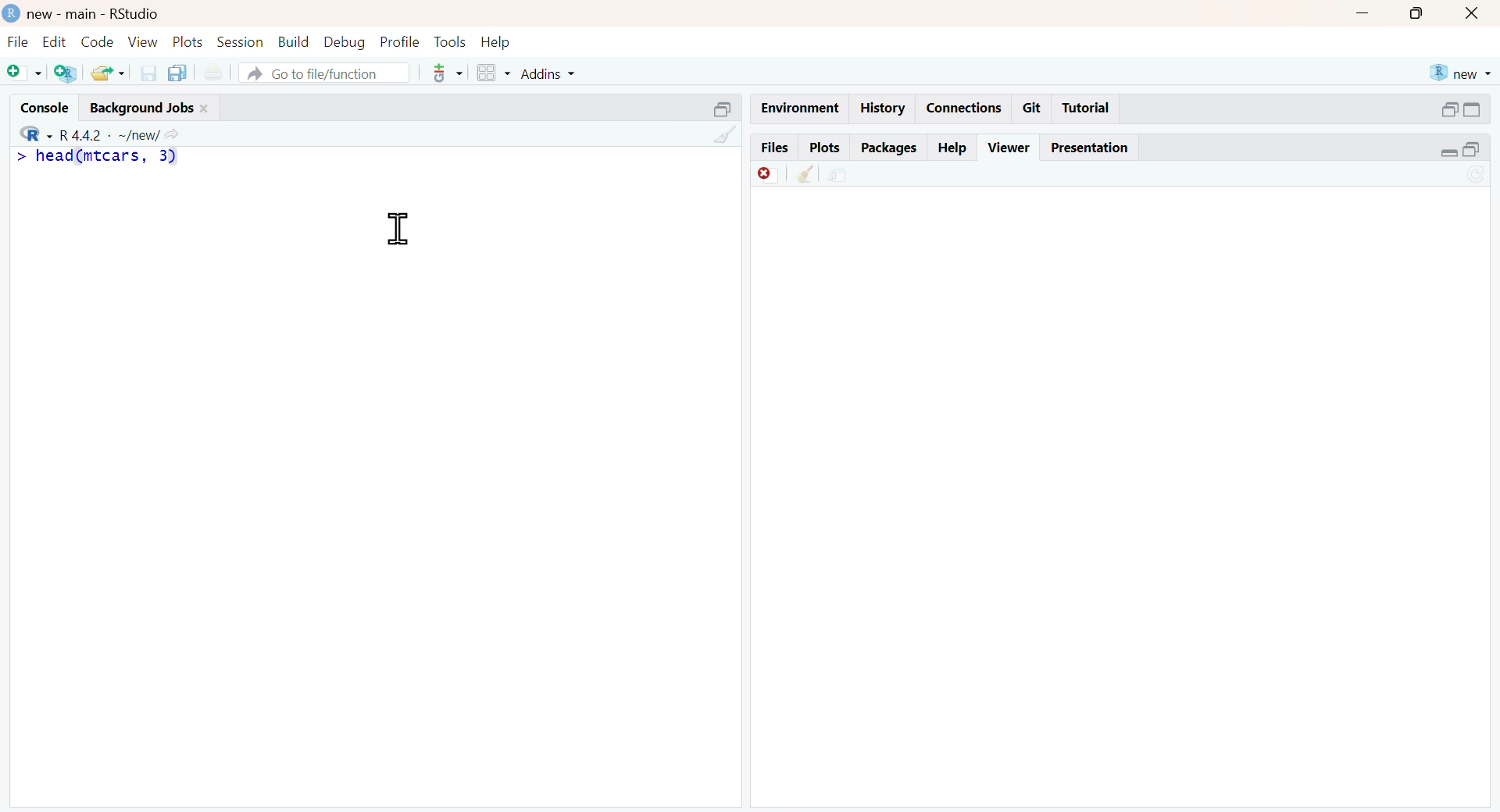 The height and width of the screenshot is (812, 1500). Describe the element at coordinates (1089, 109) in the screenshot. I see `Tutorial` at that location.